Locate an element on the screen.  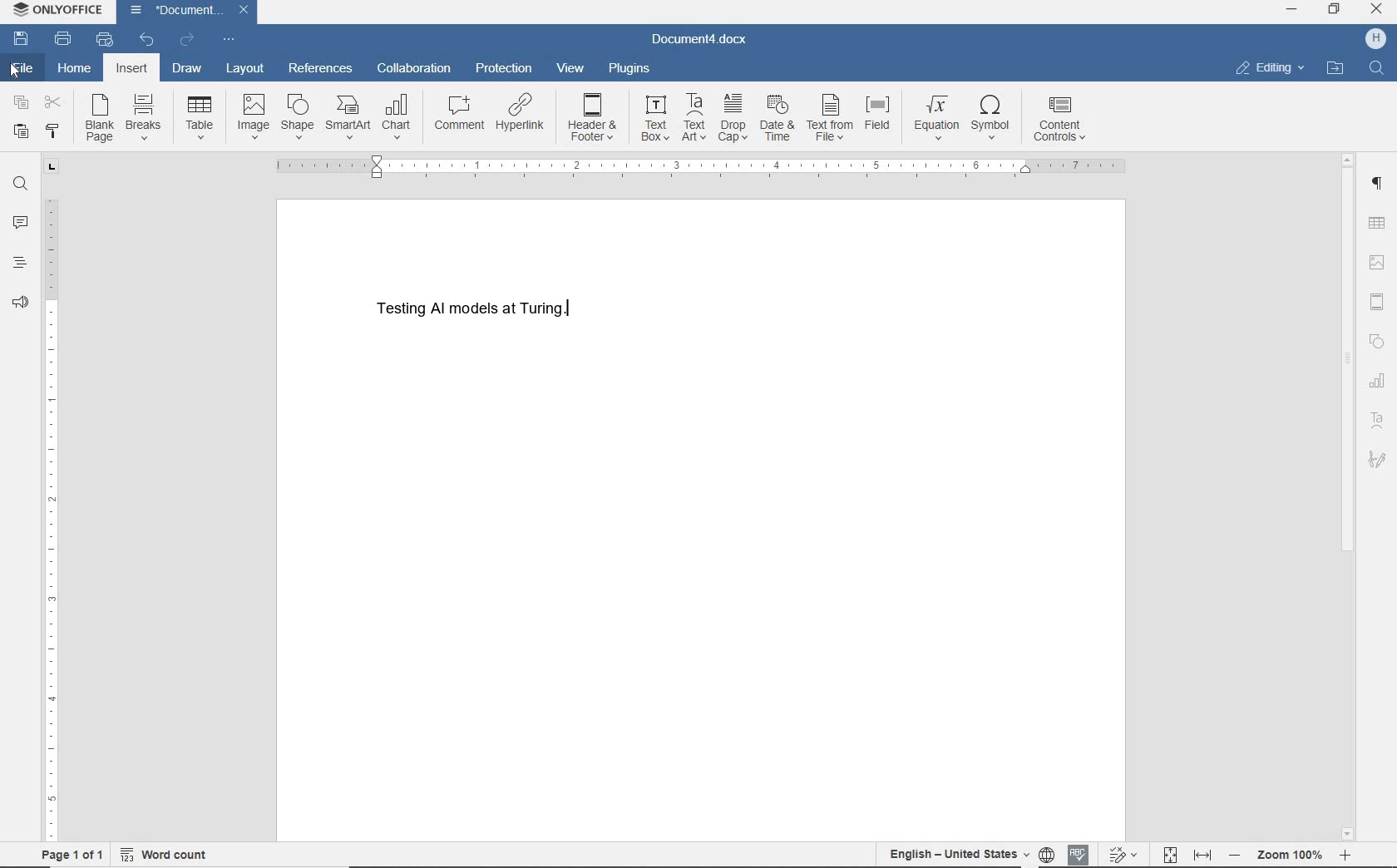
MINIMIZE is located at coordinates (1291, 10).